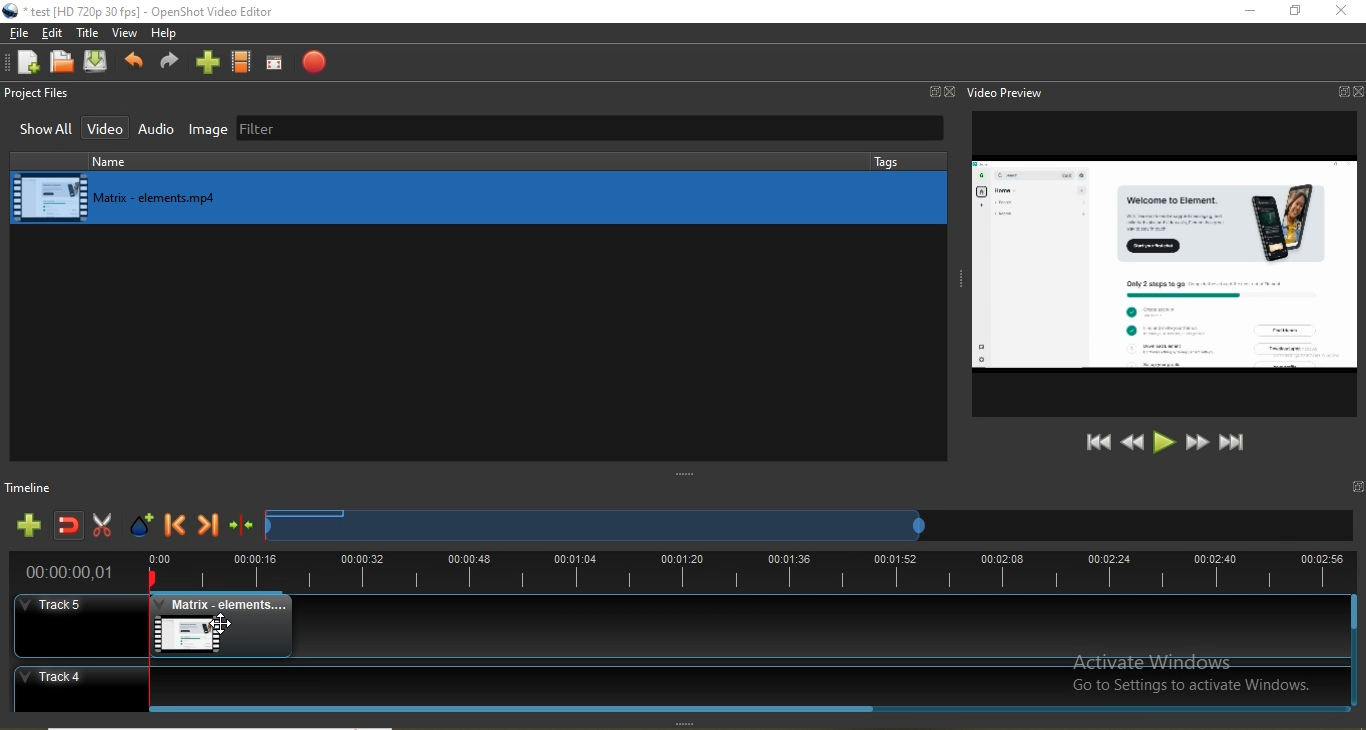  What do you see at coordinates (952, 91) in the screenshot?
I see `Close` at bounding box center [952, 91].